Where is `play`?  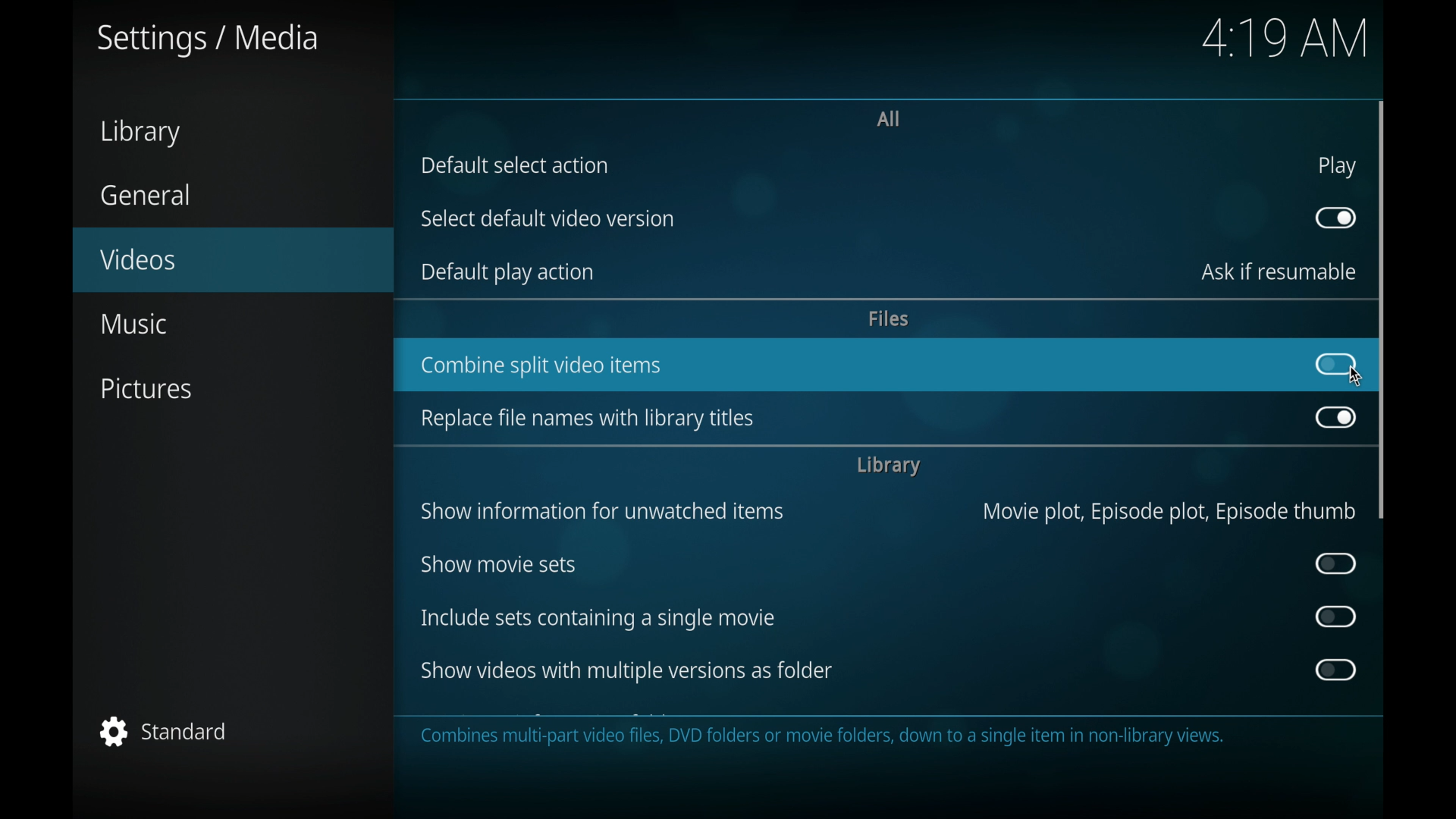
play is located at coordinates (1336, 166).